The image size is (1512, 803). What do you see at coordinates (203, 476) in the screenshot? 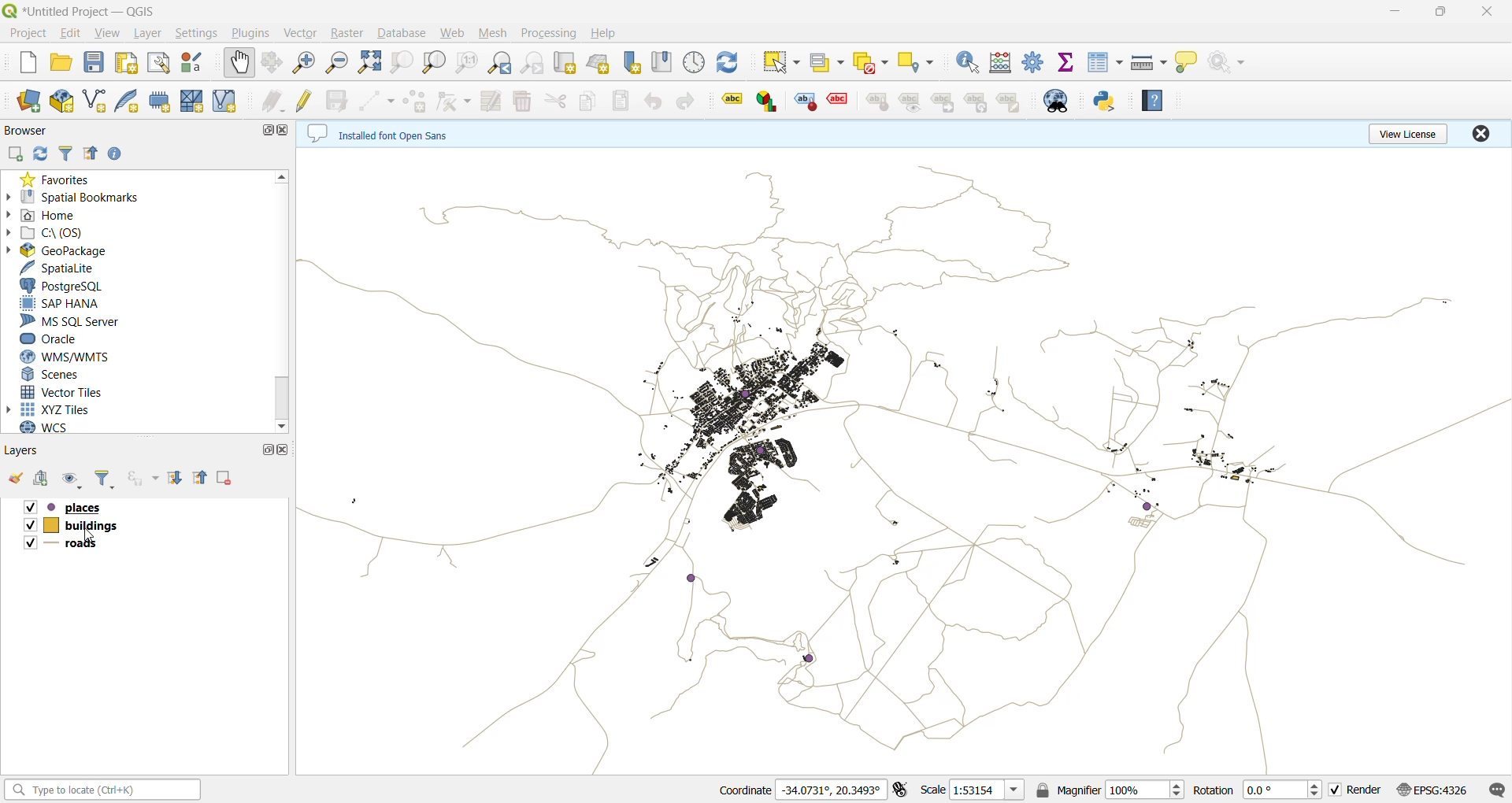
I see `collapse all` at bounding box center [203, 476].